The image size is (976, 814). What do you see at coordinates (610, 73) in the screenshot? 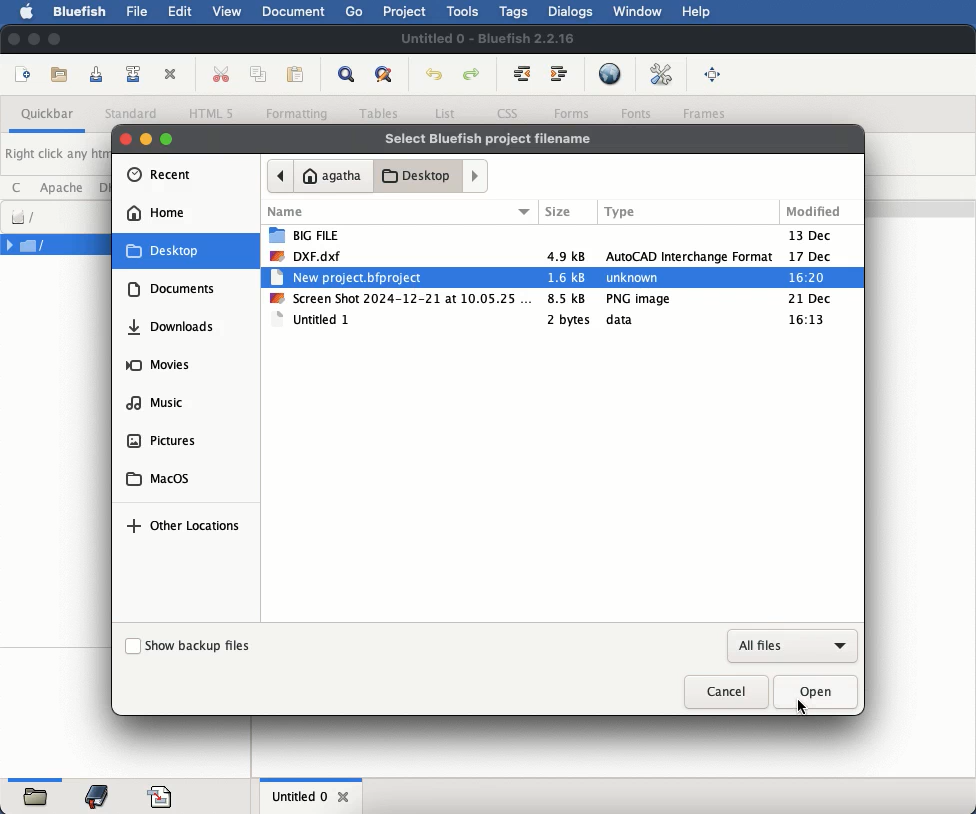
I see `preview in browser` at bounding box center [610, 73].